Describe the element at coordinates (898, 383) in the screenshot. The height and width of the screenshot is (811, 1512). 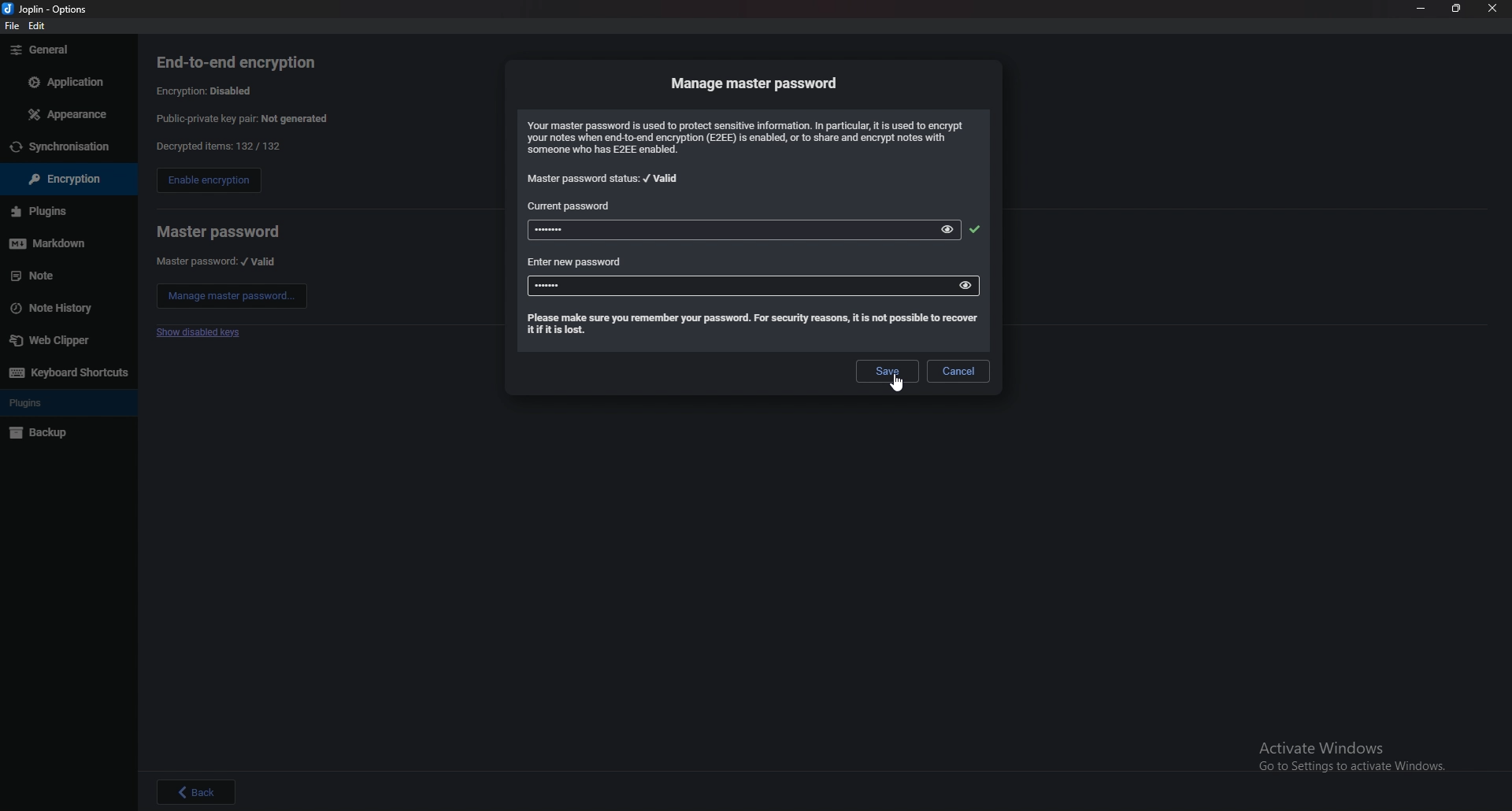
I see `cursor` at that location.